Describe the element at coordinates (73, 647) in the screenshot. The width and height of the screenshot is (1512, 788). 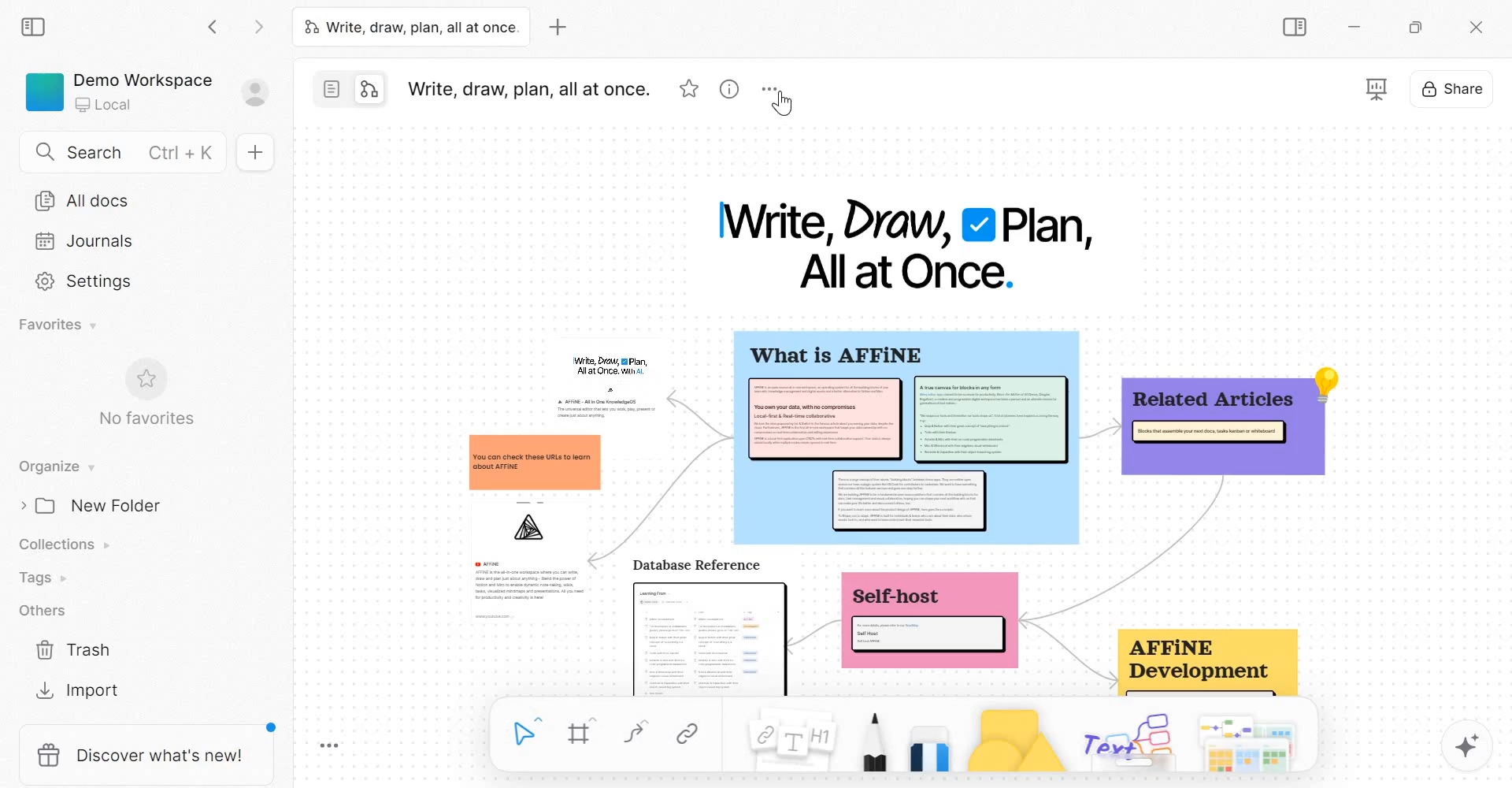
I see `Trash` at that location.